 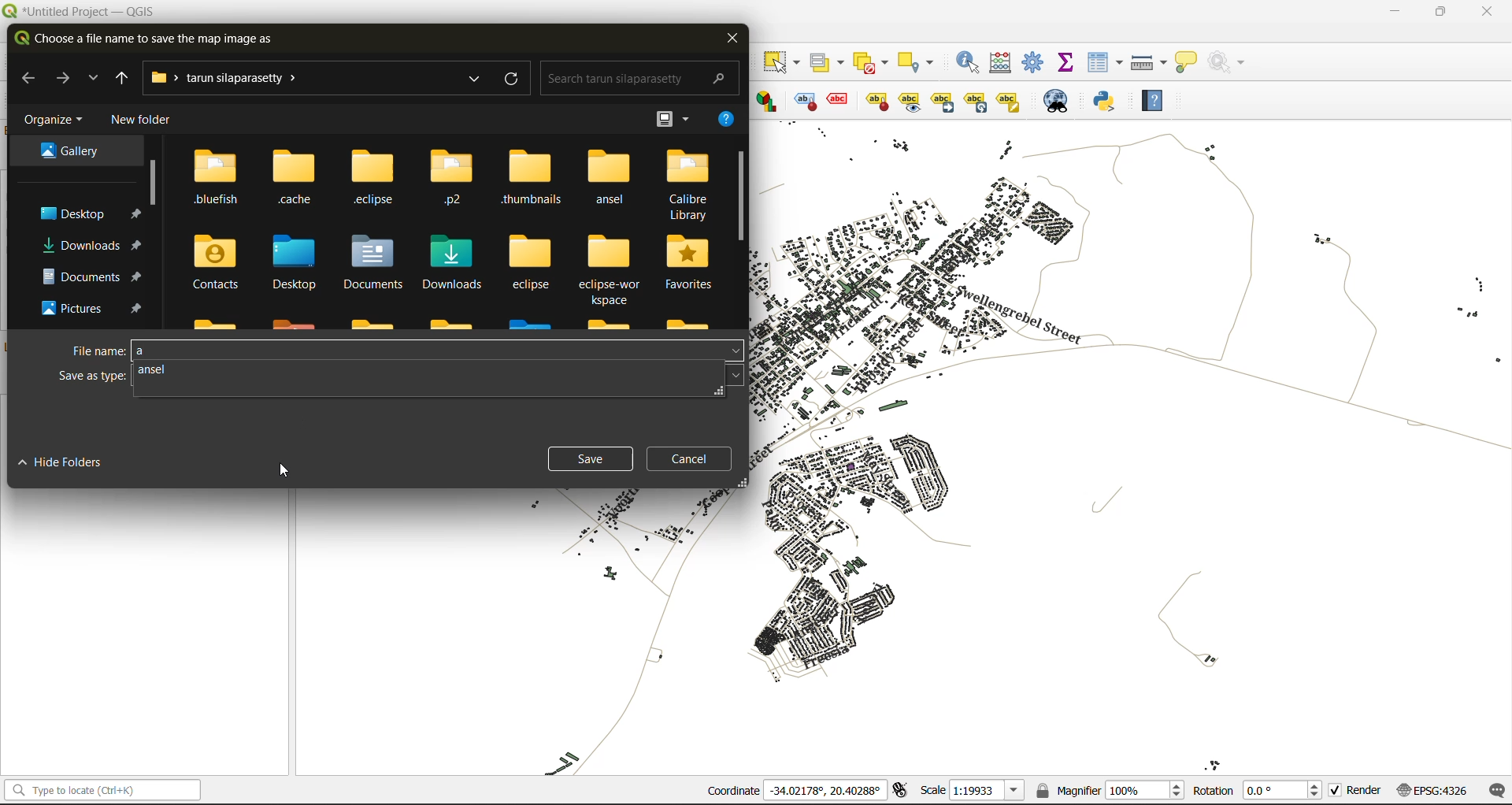 What do you see at coordinates (233, 79) in the screenshot?
I see `file path` at bounding box center [233, 79].